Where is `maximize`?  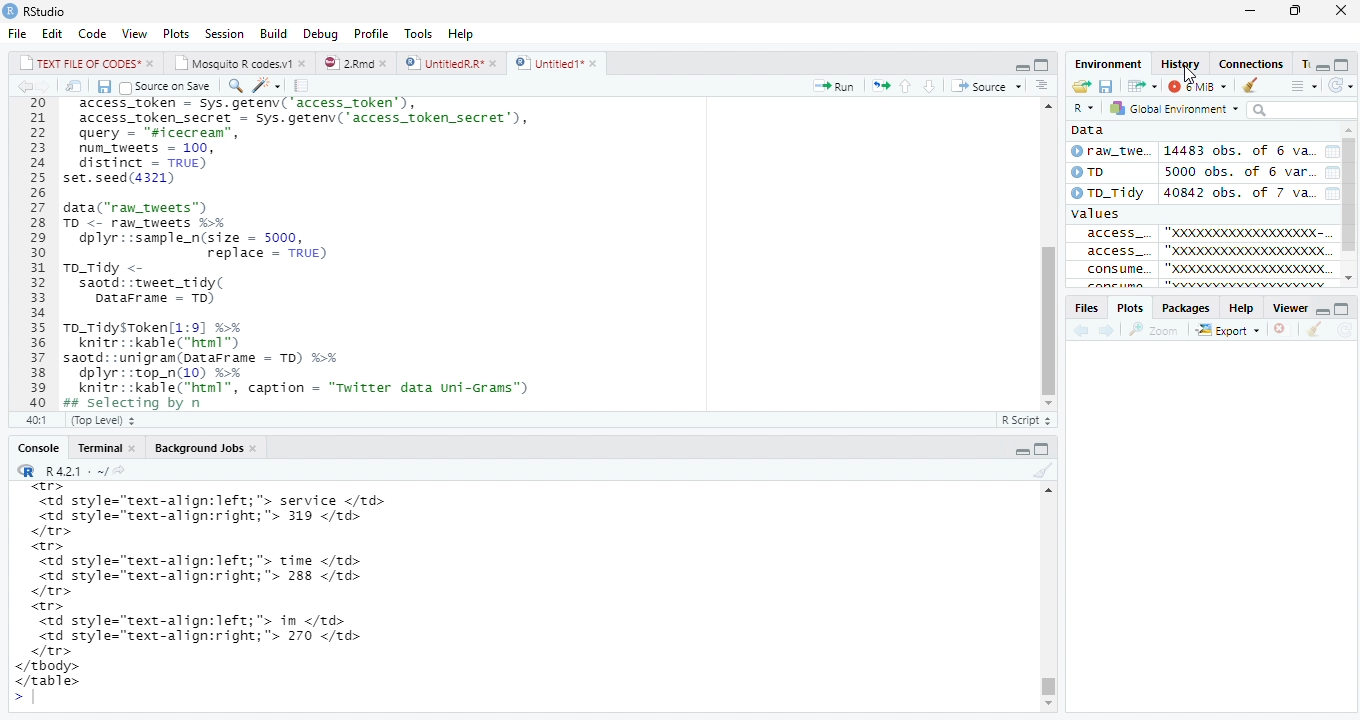 maximize is located at coordinates (1301, 9).